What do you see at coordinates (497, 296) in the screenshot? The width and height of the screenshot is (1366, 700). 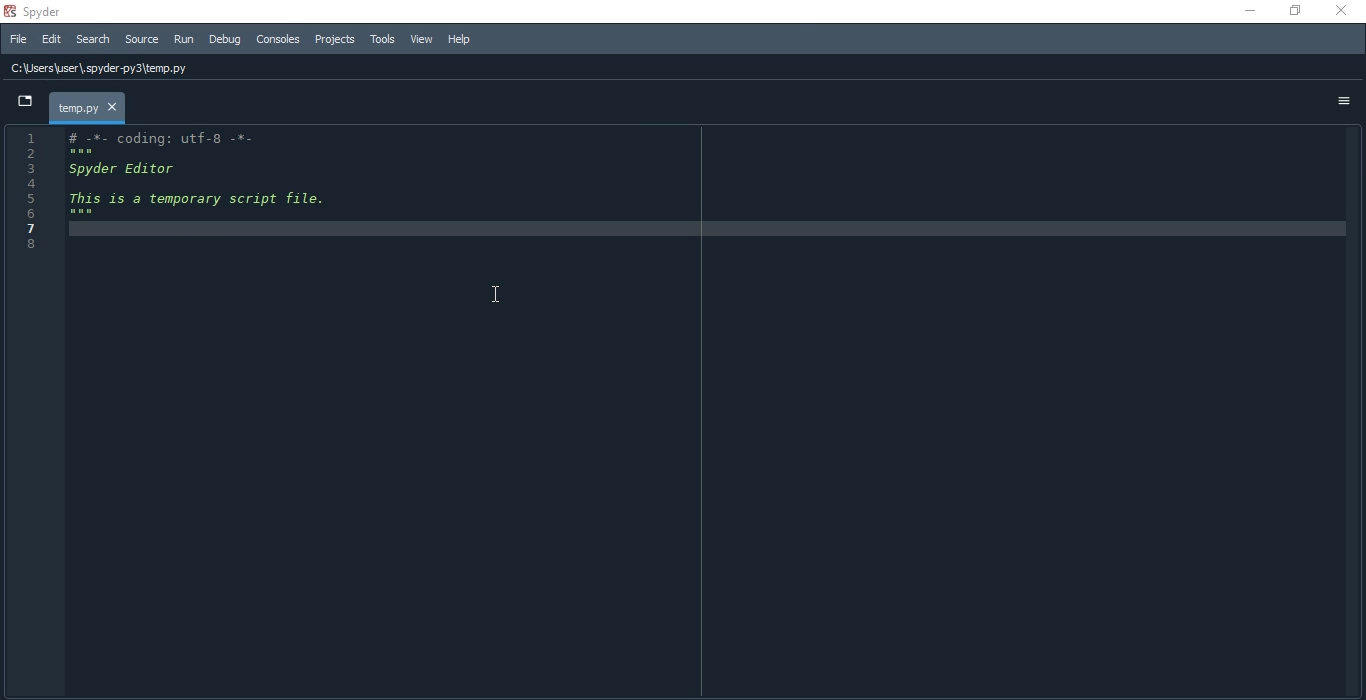 I see `cursor` at bounding box center [497, 296].